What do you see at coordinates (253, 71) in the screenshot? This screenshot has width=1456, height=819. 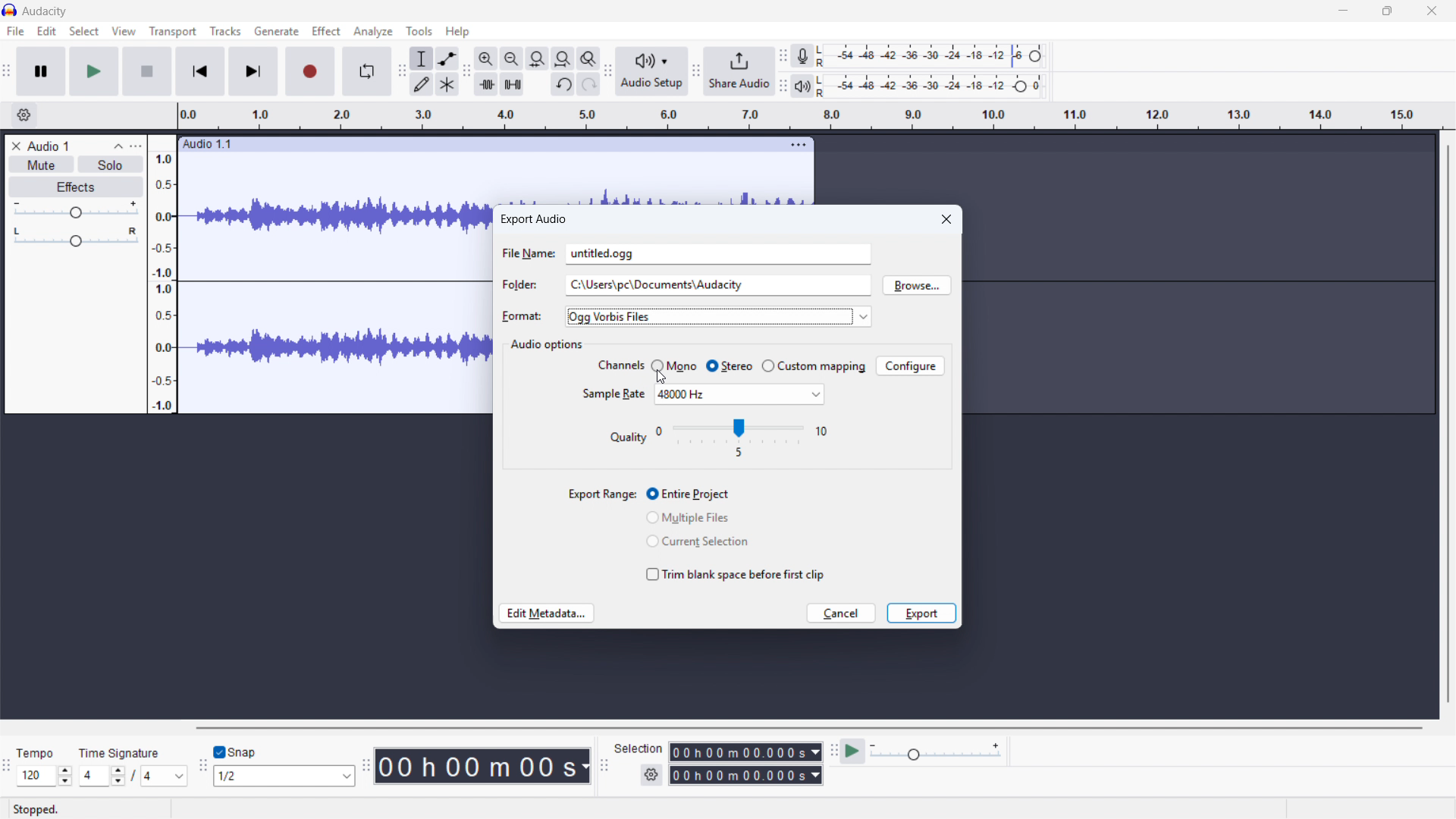 I see `Skip to last ` at bounding box center [253, 71].